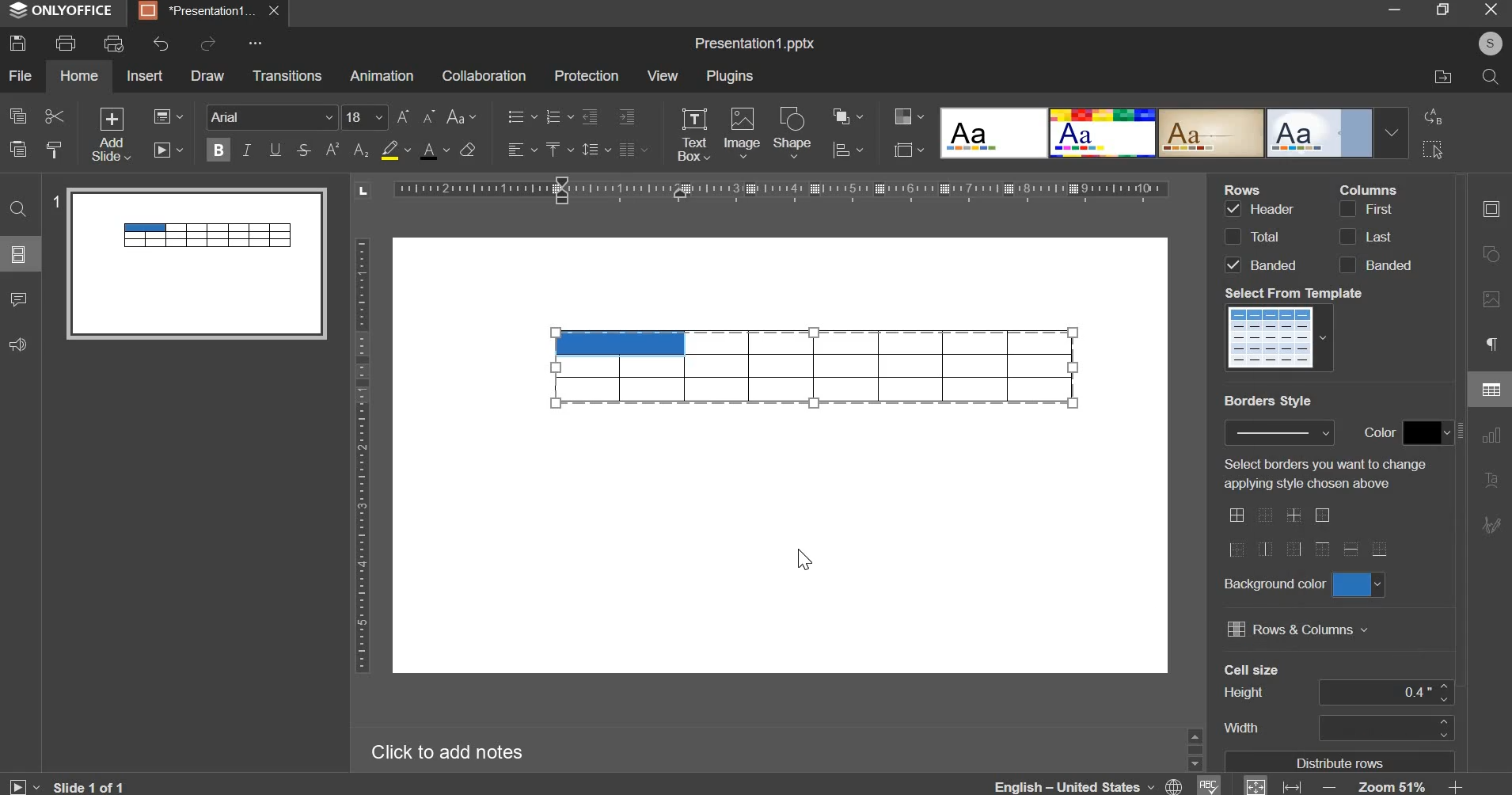 The width and height of the screenshot is (1512, 795). Describe the element at coordinates (461, 117) in the screenshot. I see `change case` at that location.